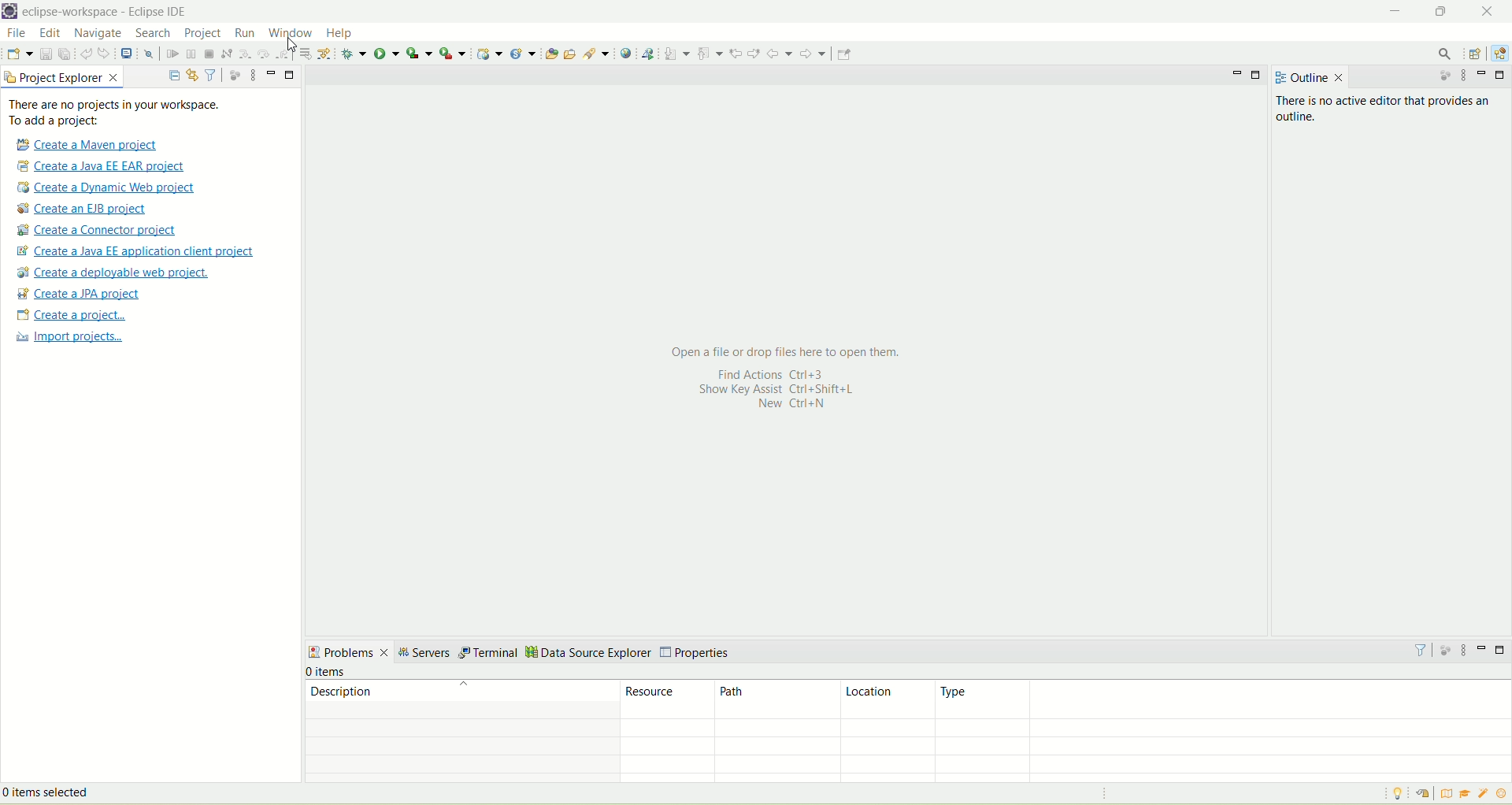 The width and height of the screenshot is (1512, 805). What do you see at coordinates (1466, 793) in the screenshot?
I see `tutorial` at bounding box center [1466, 793].